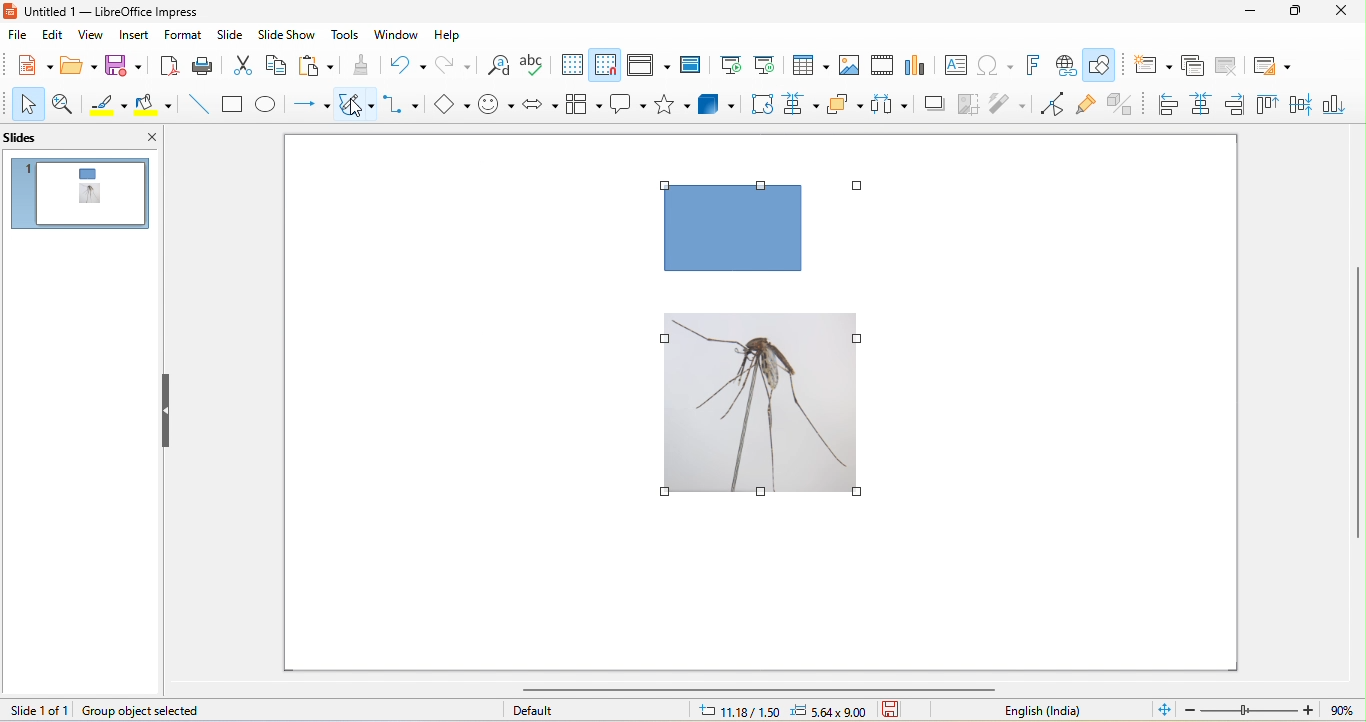  Describe the element at coordinates (572, 64) in the screenshot. I see `display grid` at that location.